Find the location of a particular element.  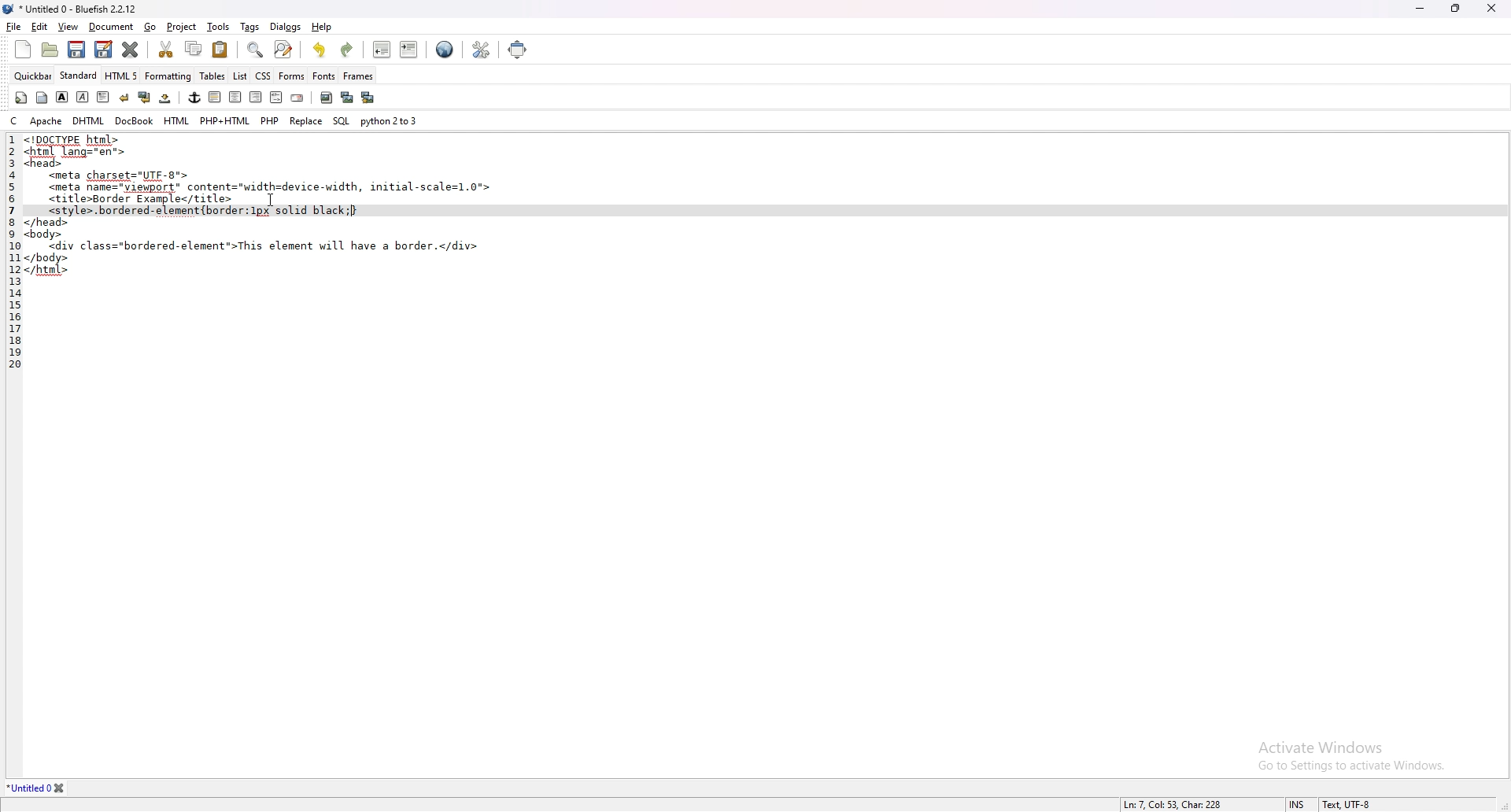

paste is located at coordinates (220, 50).